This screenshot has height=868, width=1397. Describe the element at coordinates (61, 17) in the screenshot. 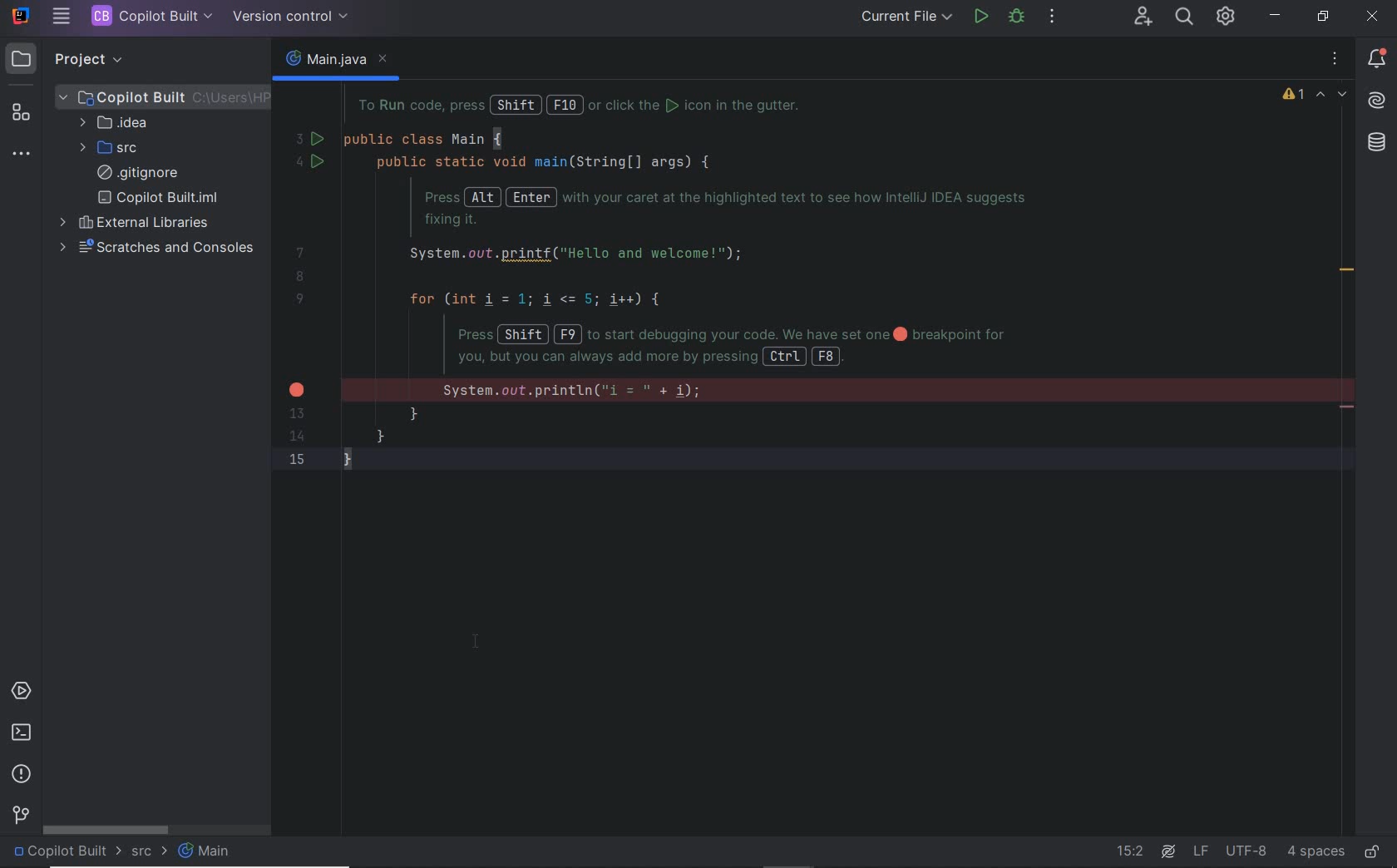

I see `MAIN MENU` at that location.